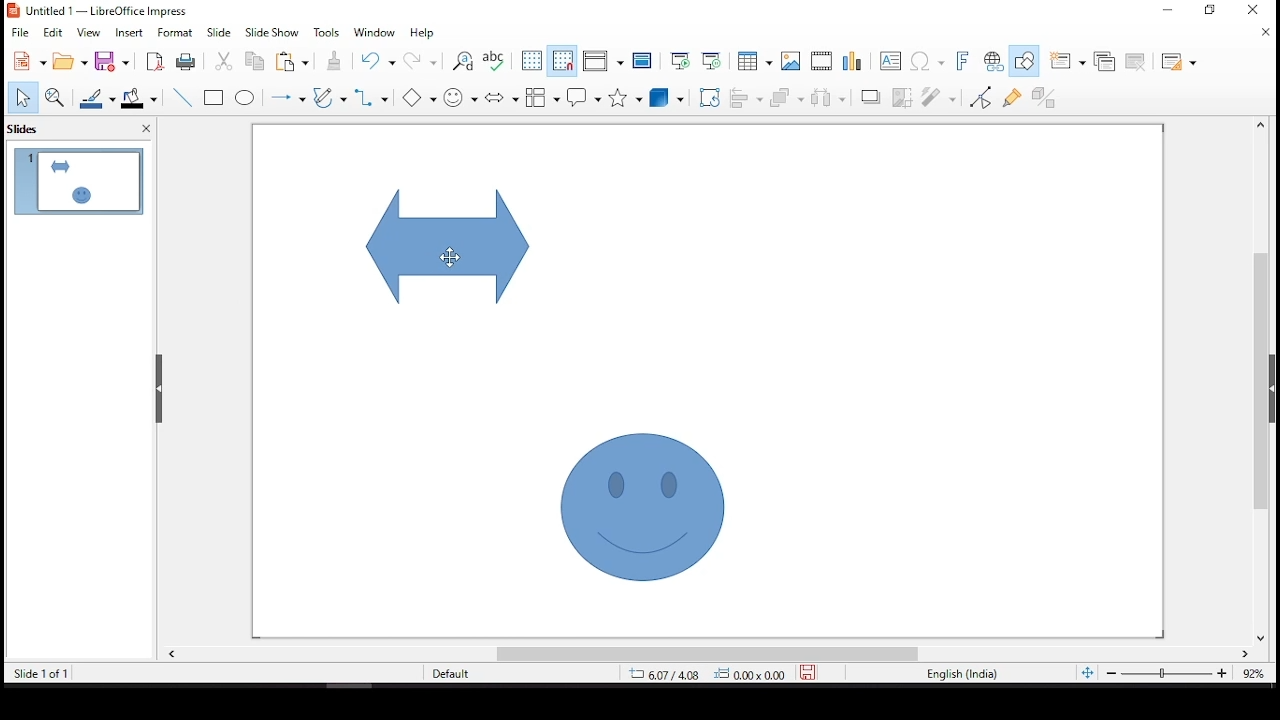 This screenshot has width=1280, height=720. I want to click on start from current slide, so click(708, 62).